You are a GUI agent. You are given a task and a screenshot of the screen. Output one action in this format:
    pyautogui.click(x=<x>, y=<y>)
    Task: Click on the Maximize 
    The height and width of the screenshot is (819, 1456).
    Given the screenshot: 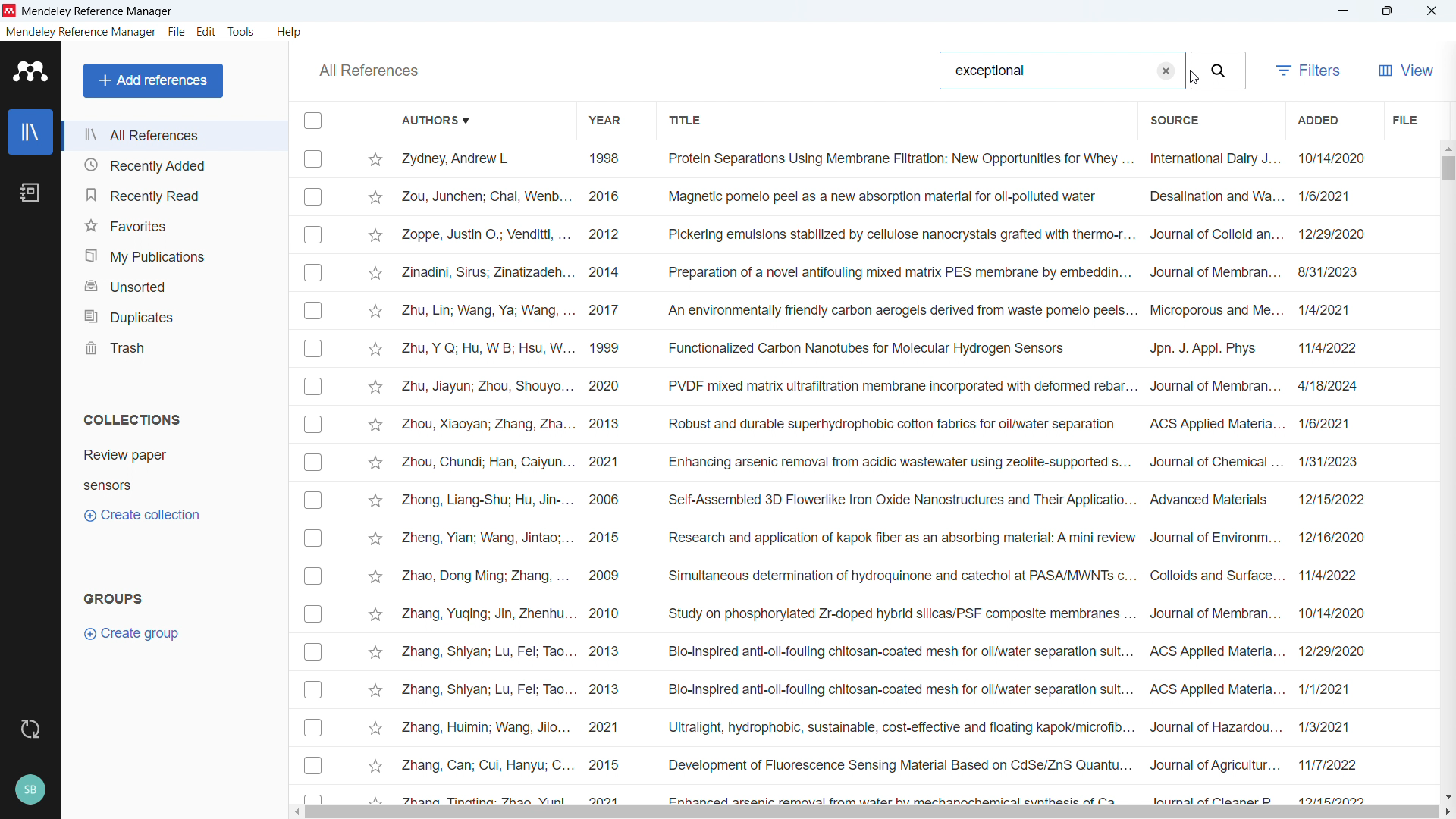 What is the action you would take?
    pyautogui.click(x=1387, y=11)
    